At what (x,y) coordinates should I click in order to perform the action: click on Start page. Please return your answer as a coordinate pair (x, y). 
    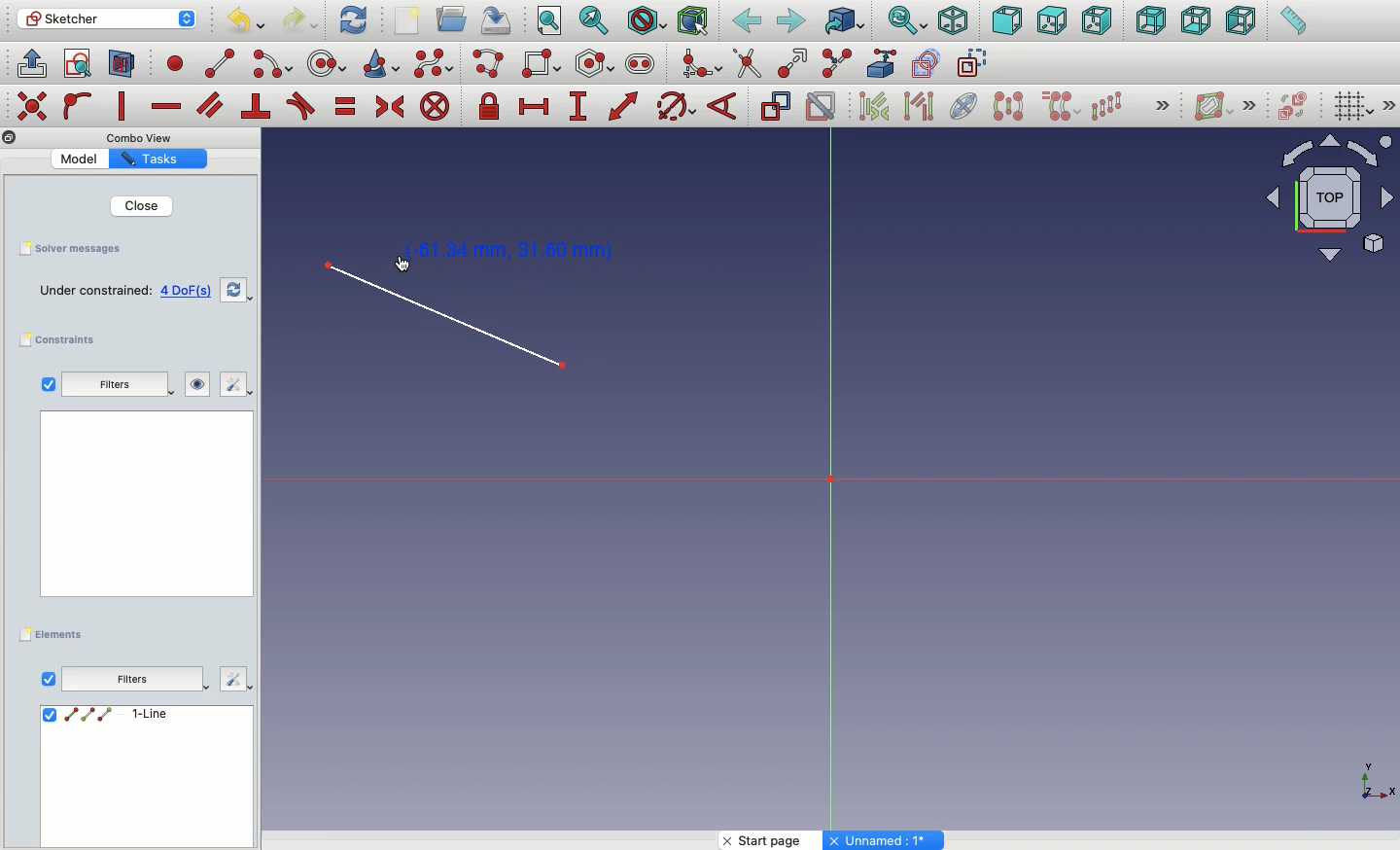
    Looking at the image, I should click on (772, 840).